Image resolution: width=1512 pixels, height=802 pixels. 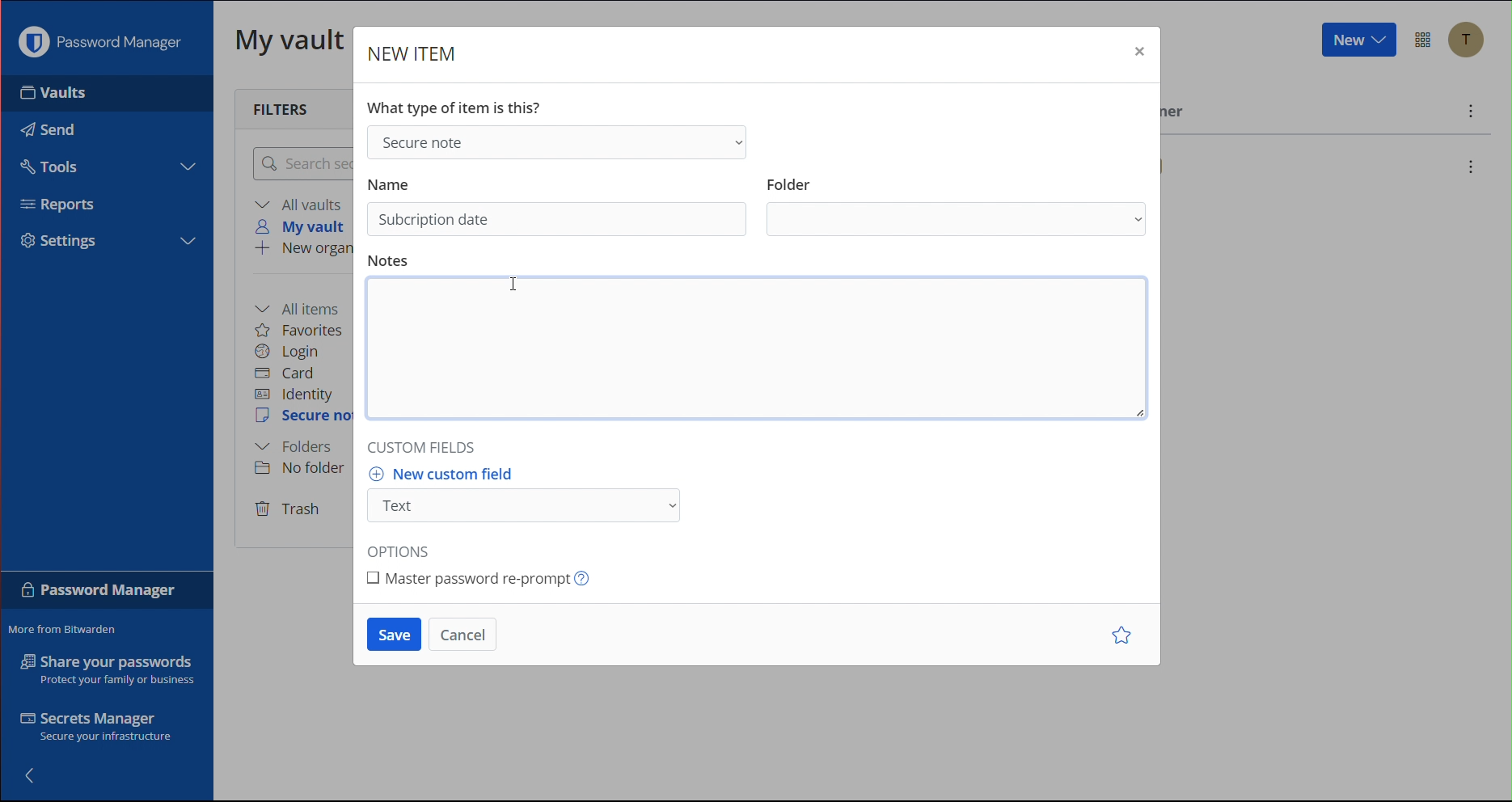 What do you see at coordinates (1425, 40) in the screenshot?
I see `Options` at bounding box center [1425, 40].